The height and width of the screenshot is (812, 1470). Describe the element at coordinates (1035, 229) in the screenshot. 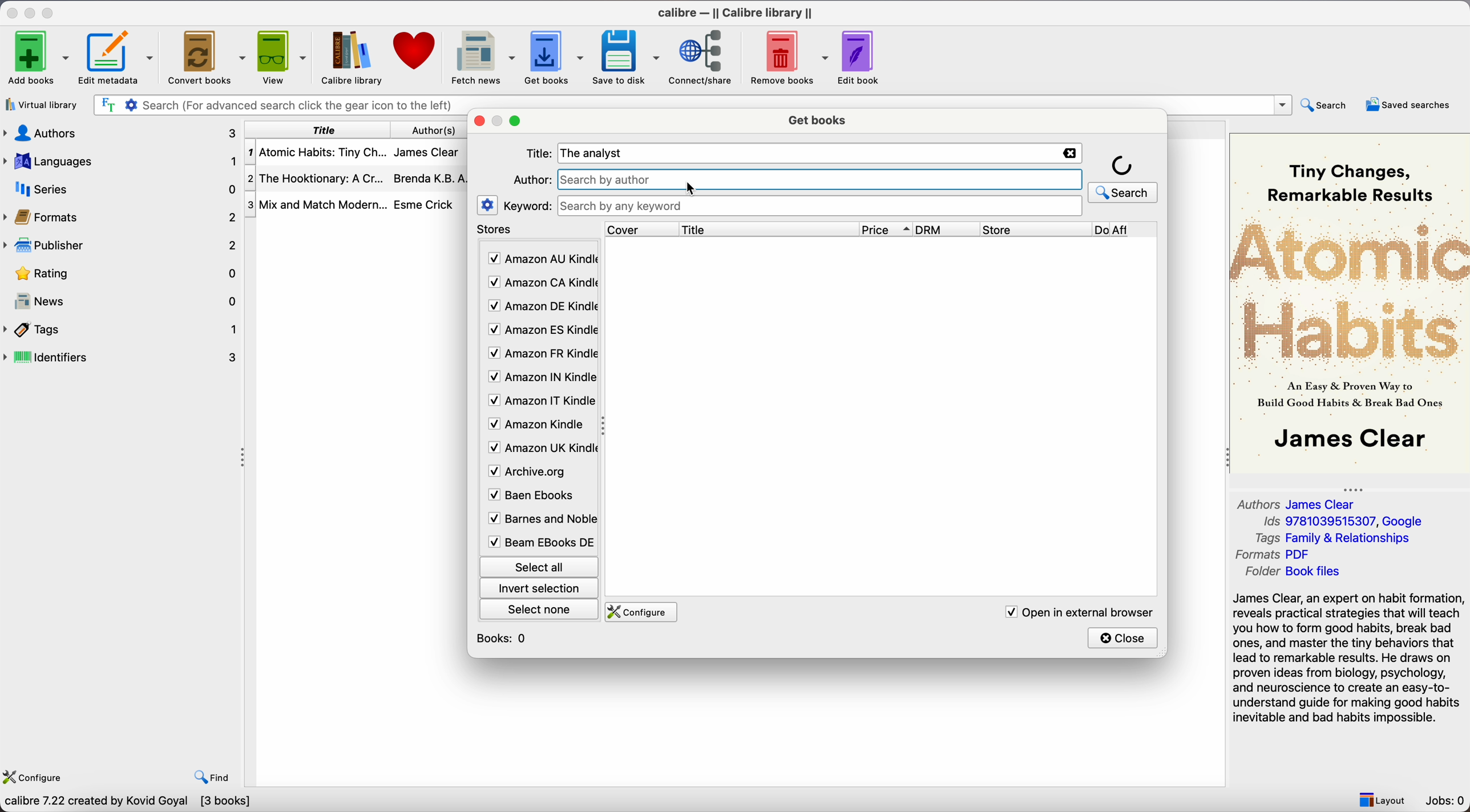

I see `store` at that location.